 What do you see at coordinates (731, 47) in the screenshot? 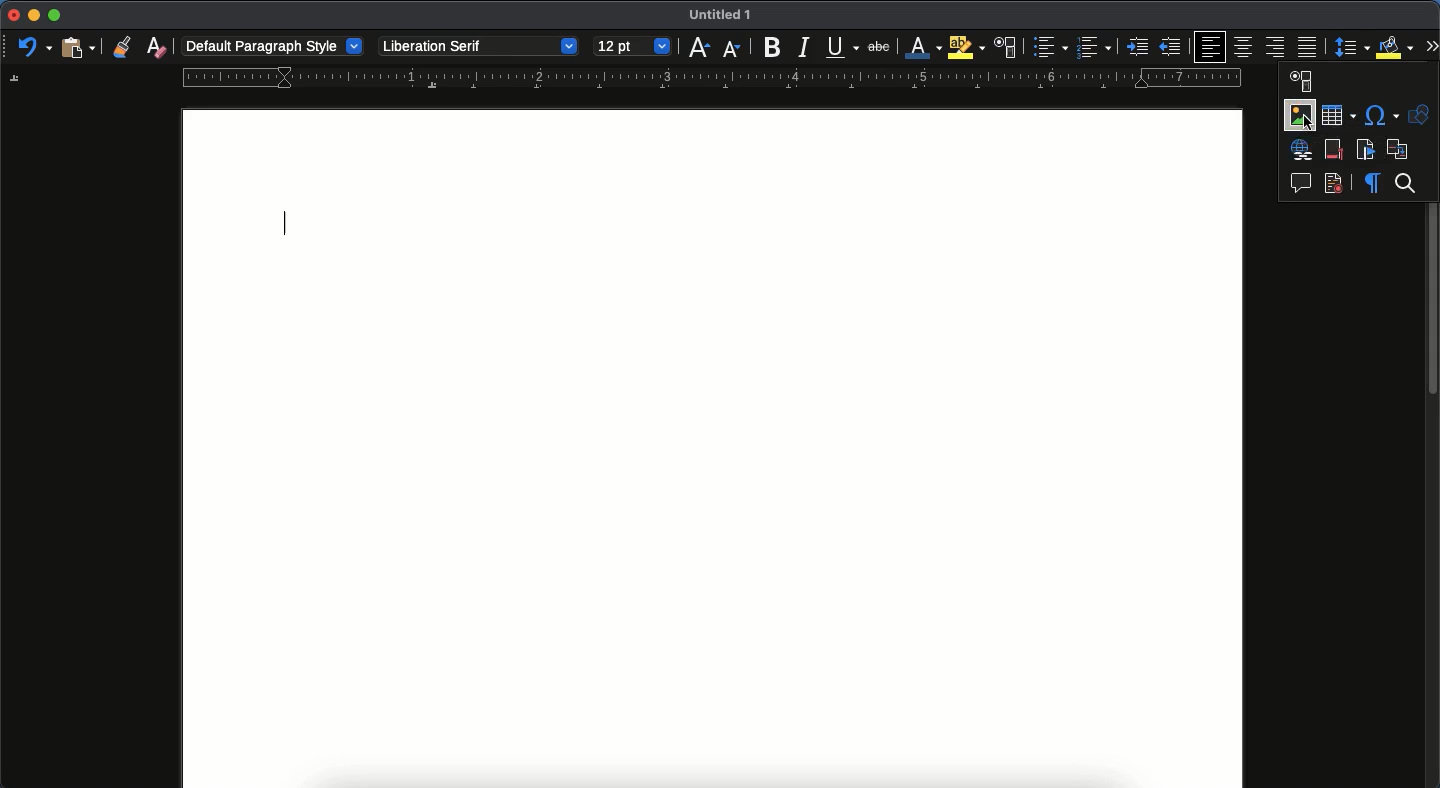
I see `decrease size` at bounding box center [731, 47].